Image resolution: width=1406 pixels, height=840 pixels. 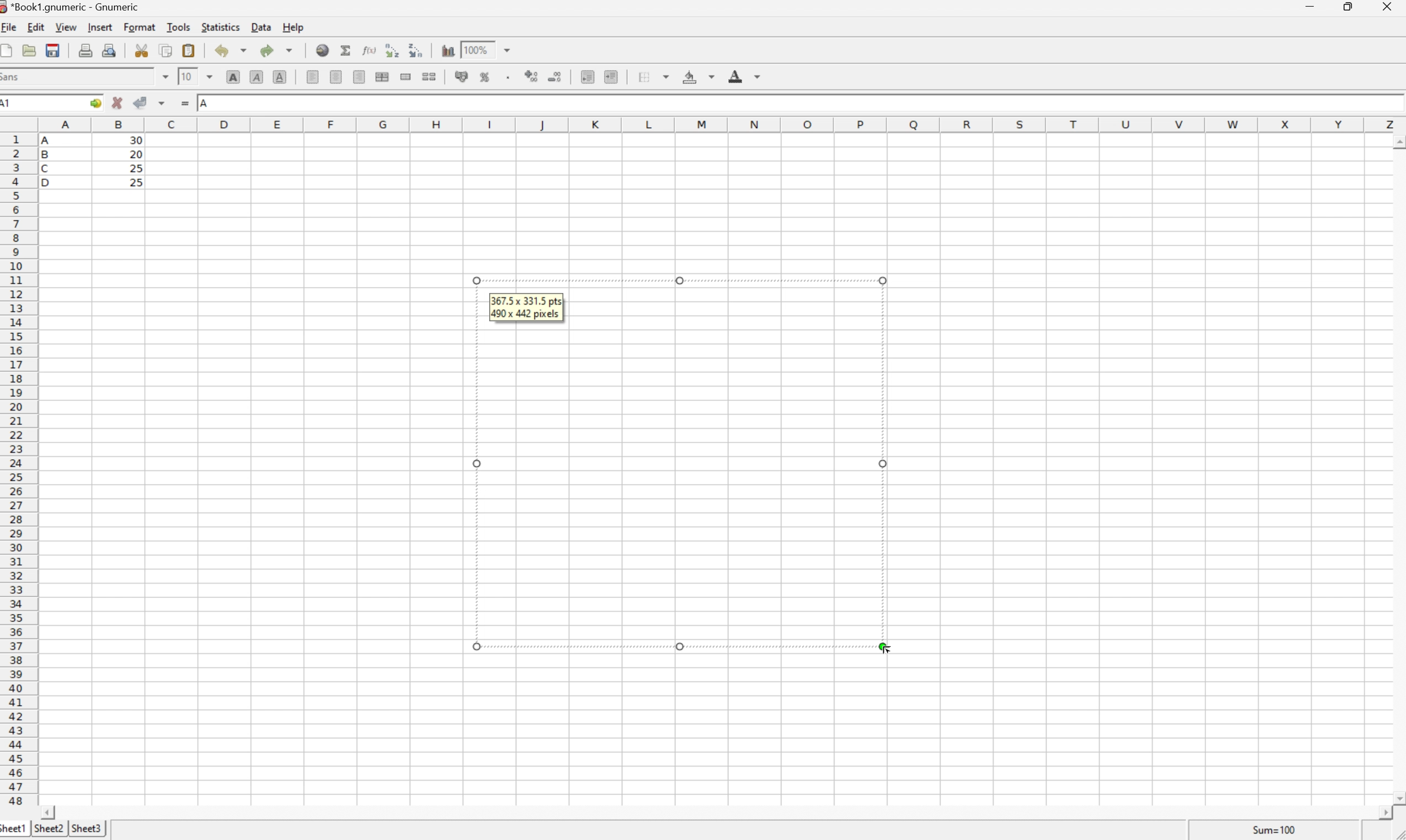 What do you see at coordinates (50, 812) in the screenshot?
I see `Scroll Left` at bounding box center [50, 812].